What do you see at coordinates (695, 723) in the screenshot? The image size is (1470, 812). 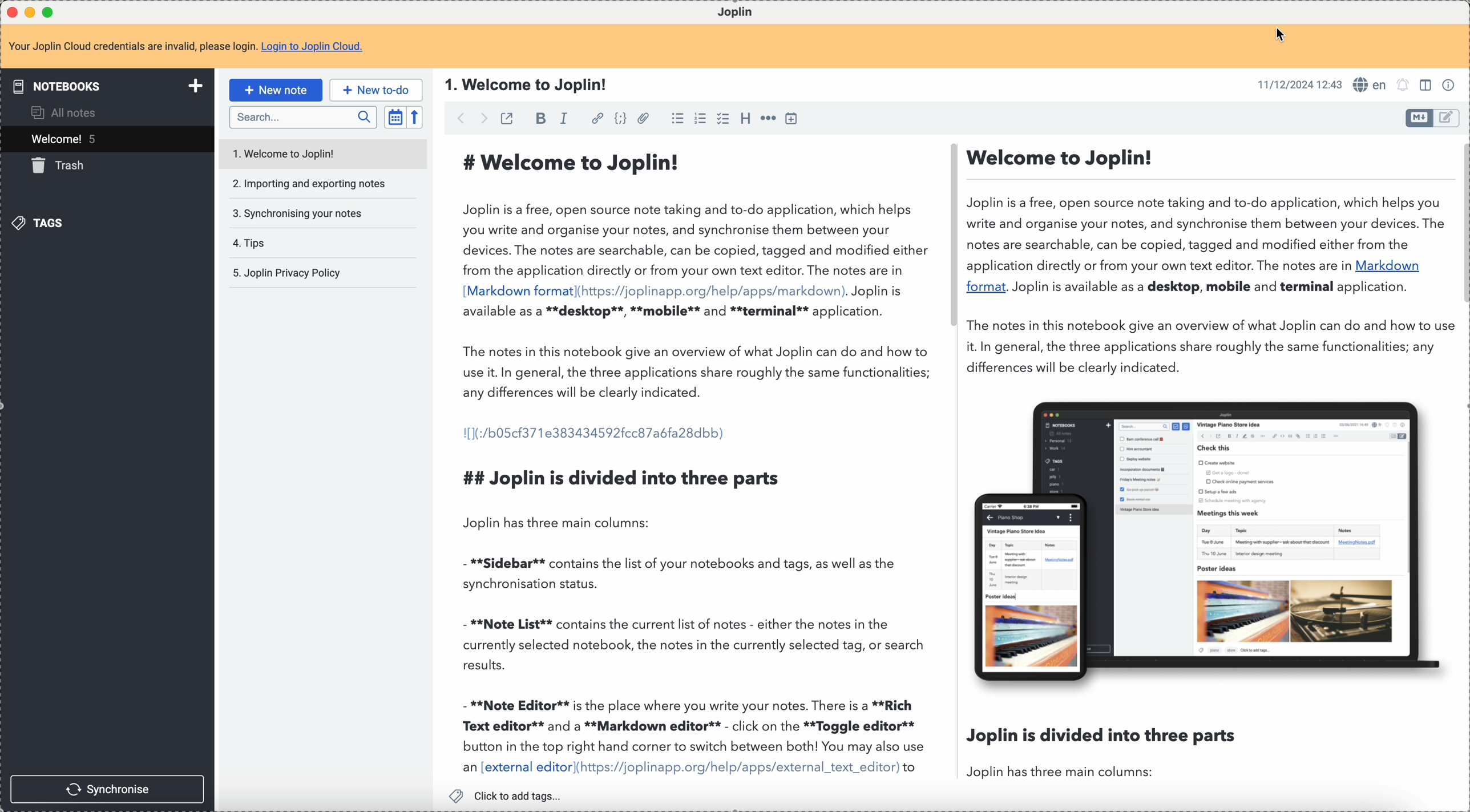 I see `- **Note Editor** is the place where you write your notes. There is a **Rich
Text editor** and a **Markdown editor** - click on the **Toggle editor**
button in the top right hand corner to switch between both! You may also use` at bounding box center [695, 723].